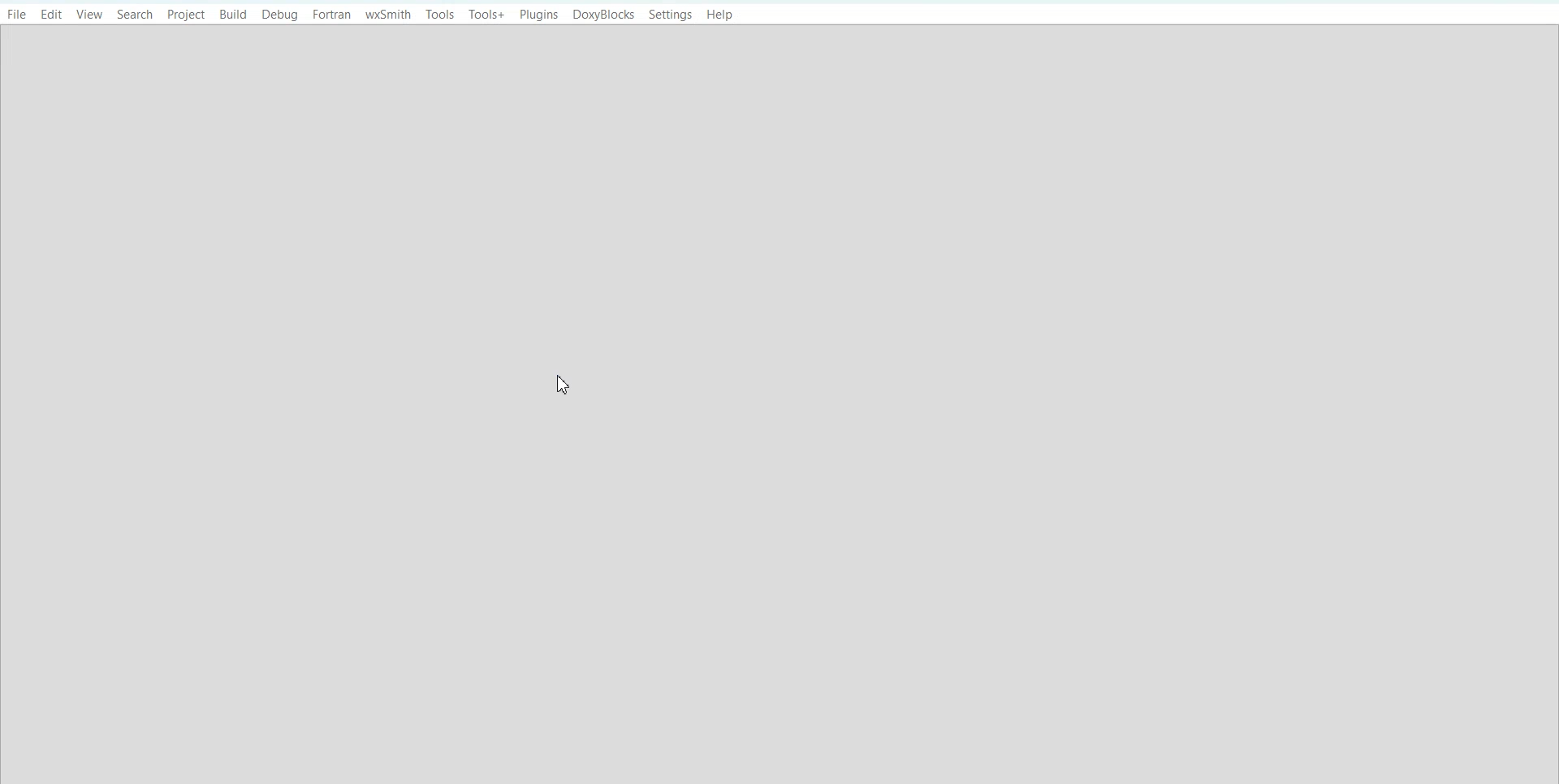 This screenshot has width=1559, height=784. I want to click on Help, so click(719, 15).